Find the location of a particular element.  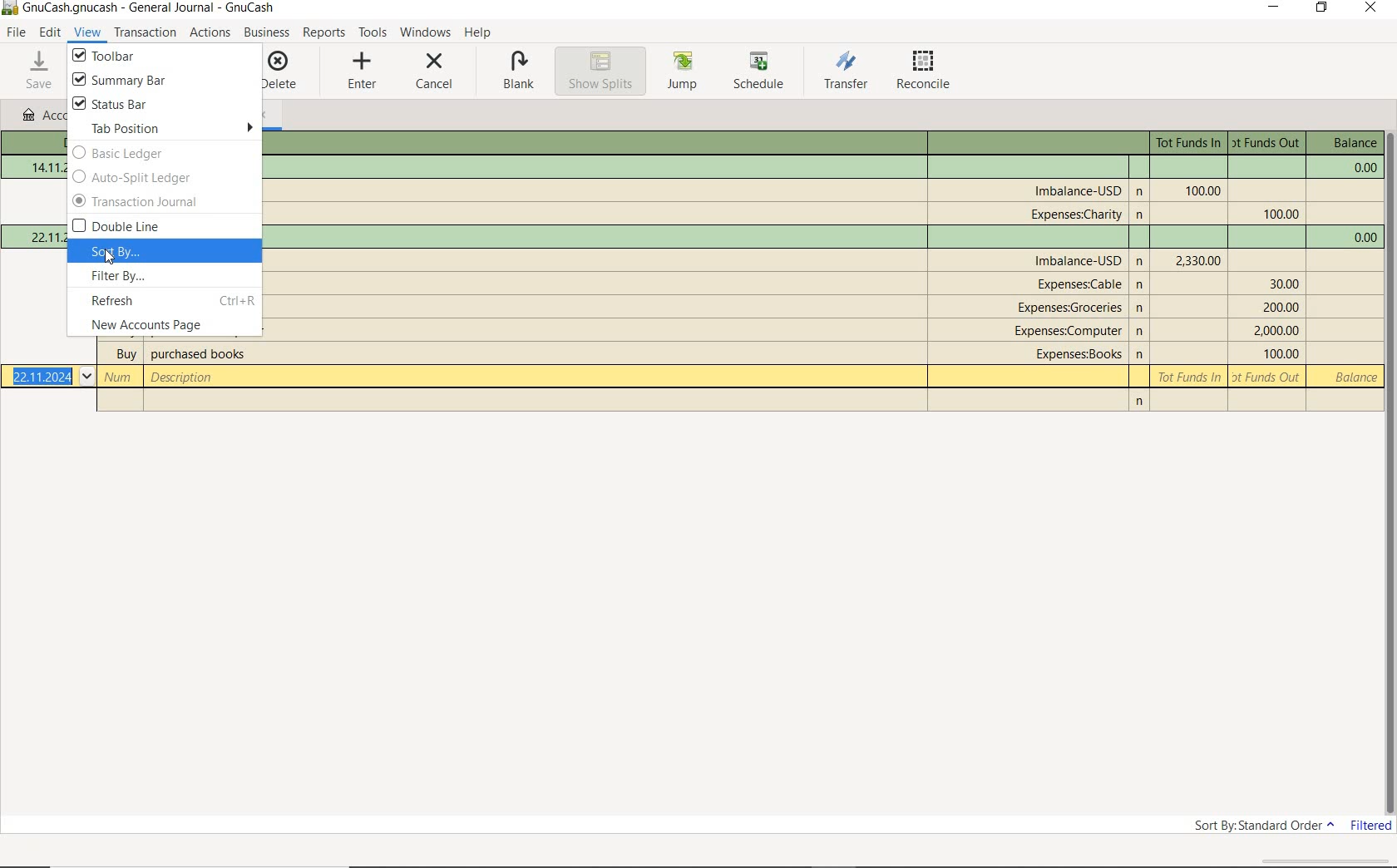

CANCEL is located at coordinates (435, 70).